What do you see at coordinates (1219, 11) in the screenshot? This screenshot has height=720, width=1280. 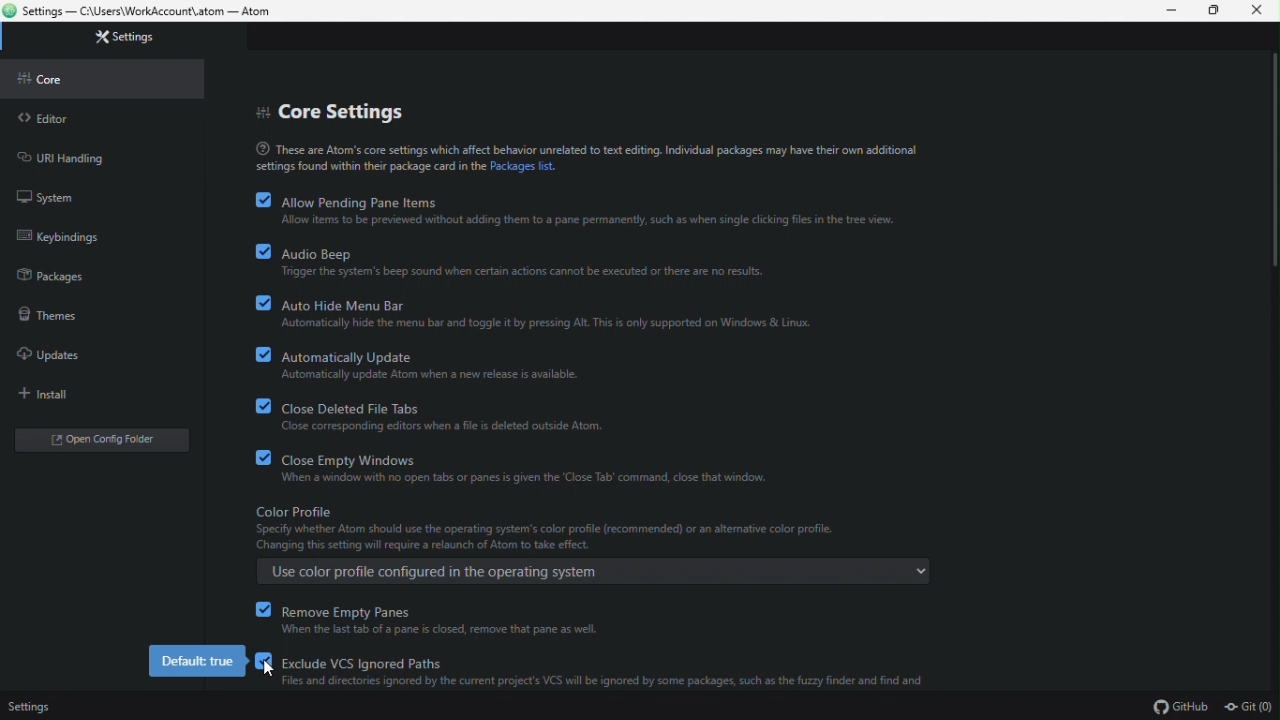 I see `Restore` at bounding box center [1219, 11].